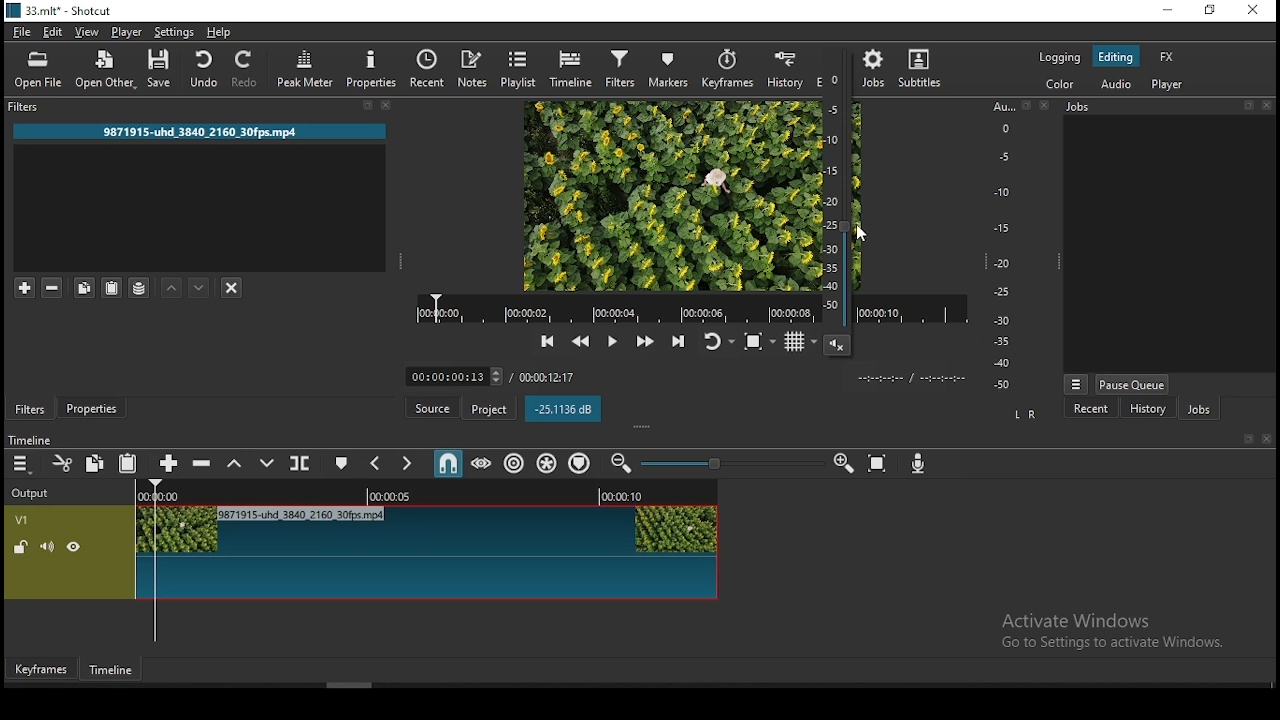  Describe the element at coordinates (1211, 10) in the screenshot. I see `restore` at that location.